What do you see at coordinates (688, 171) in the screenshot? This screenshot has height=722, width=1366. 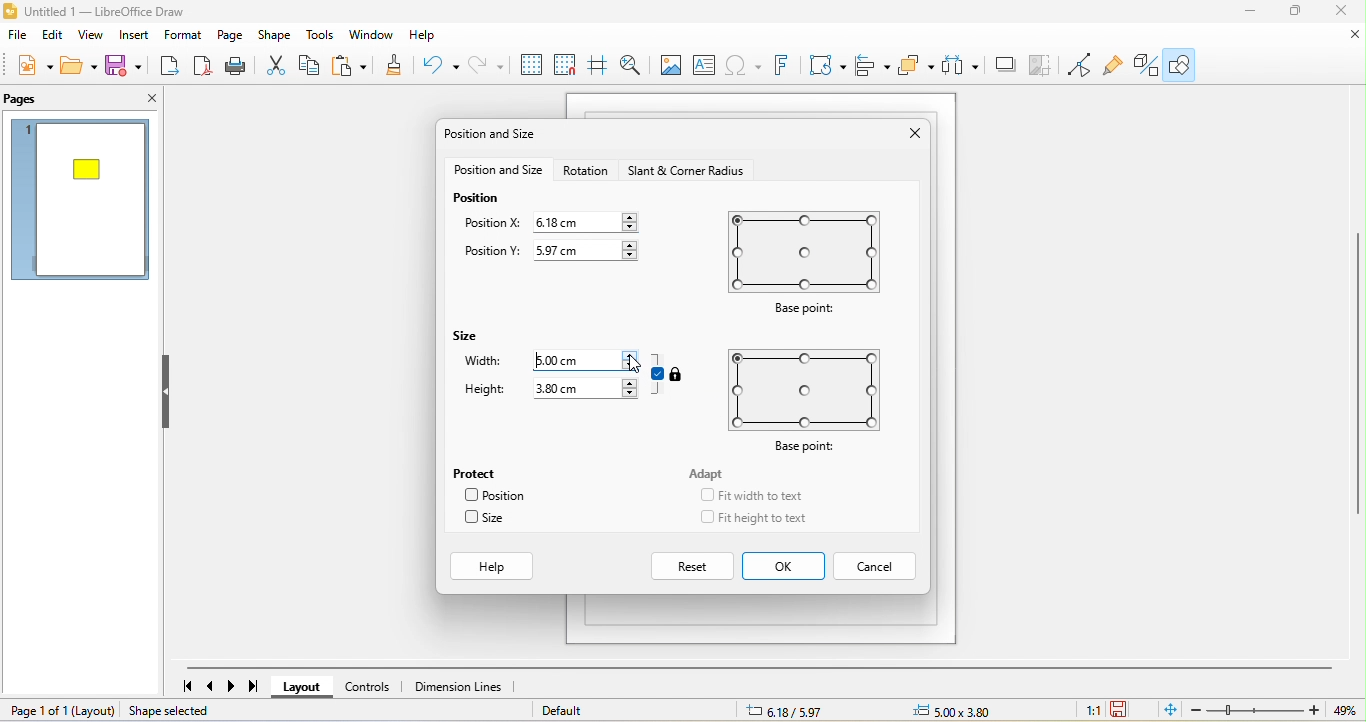 I see `start and corner radious` at bounding box center [688, 171].